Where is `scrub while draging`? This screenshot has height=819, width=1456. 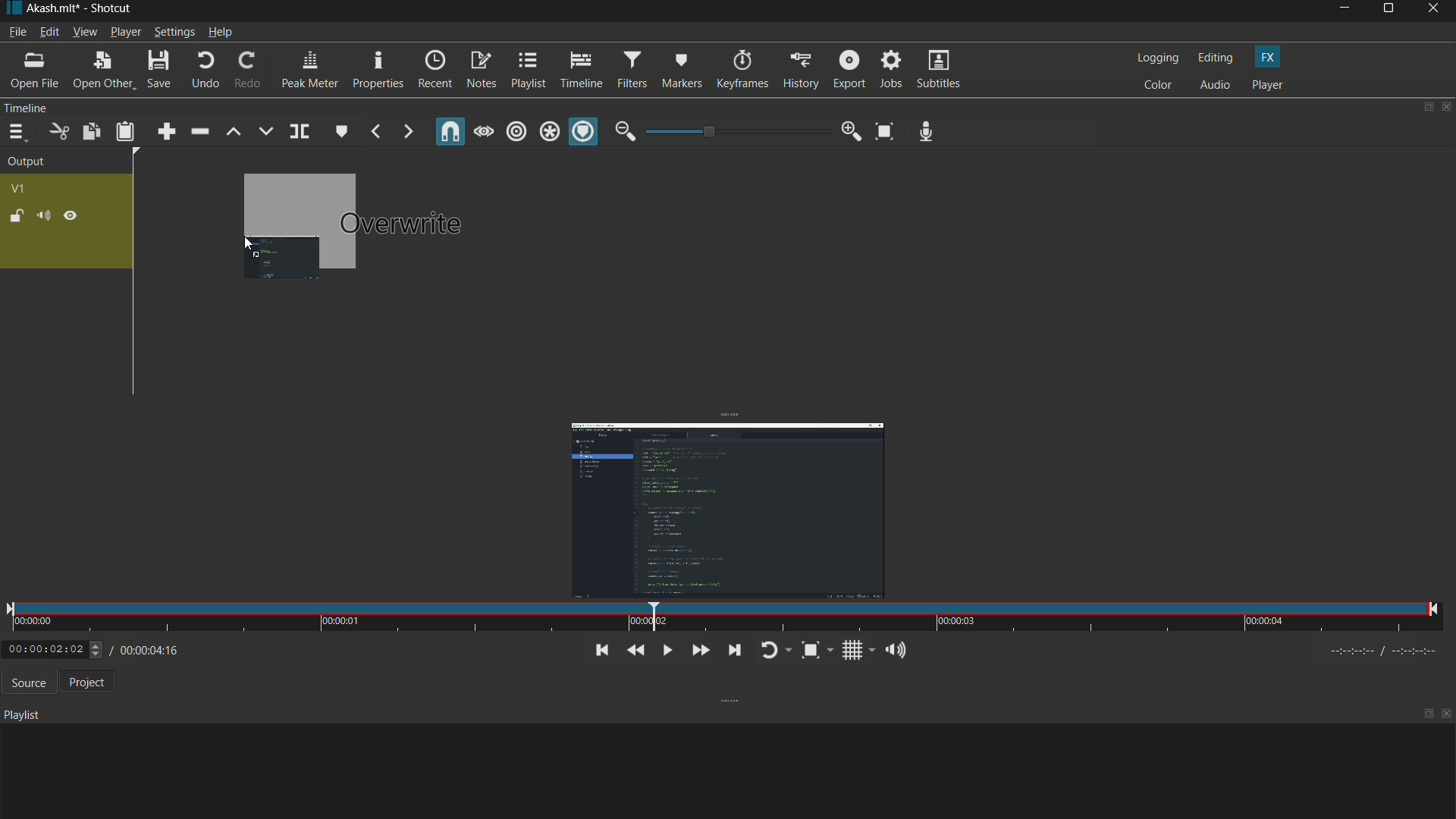 scrub while draging is located at coordinates (485, 131).